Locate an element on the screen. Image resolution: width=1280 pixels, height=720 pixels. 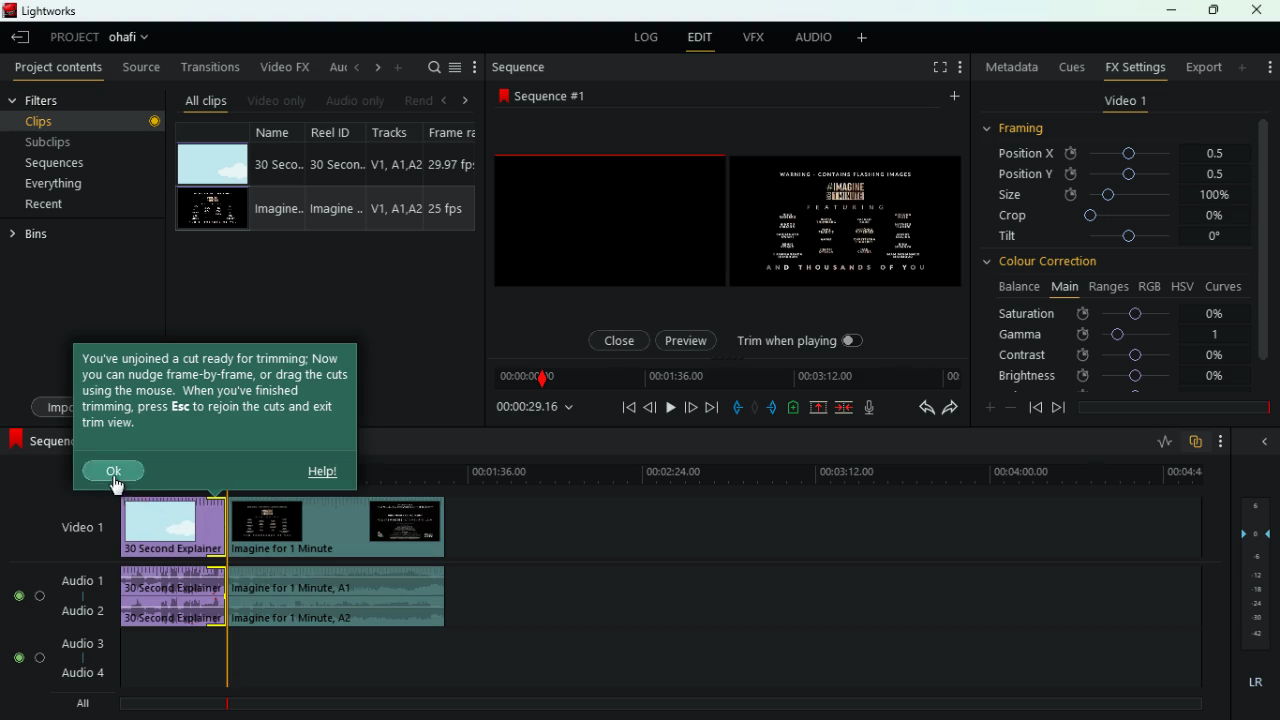
forward is located at coordinates (950, 409).